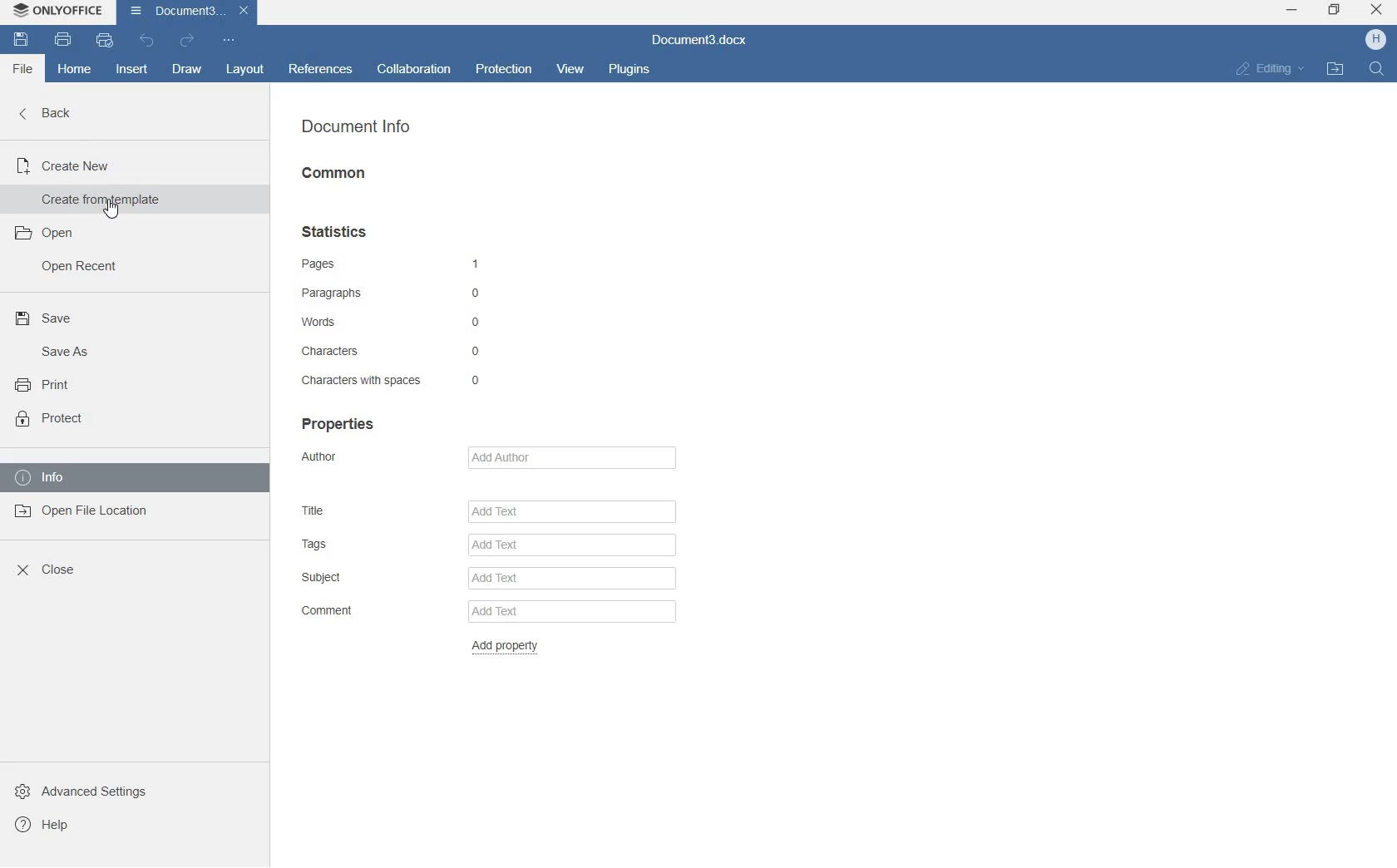 This screenshot has width=1397, height=868. Describe the element at coordinates (534, 649) in the screenshot. I see `add property` at that location.